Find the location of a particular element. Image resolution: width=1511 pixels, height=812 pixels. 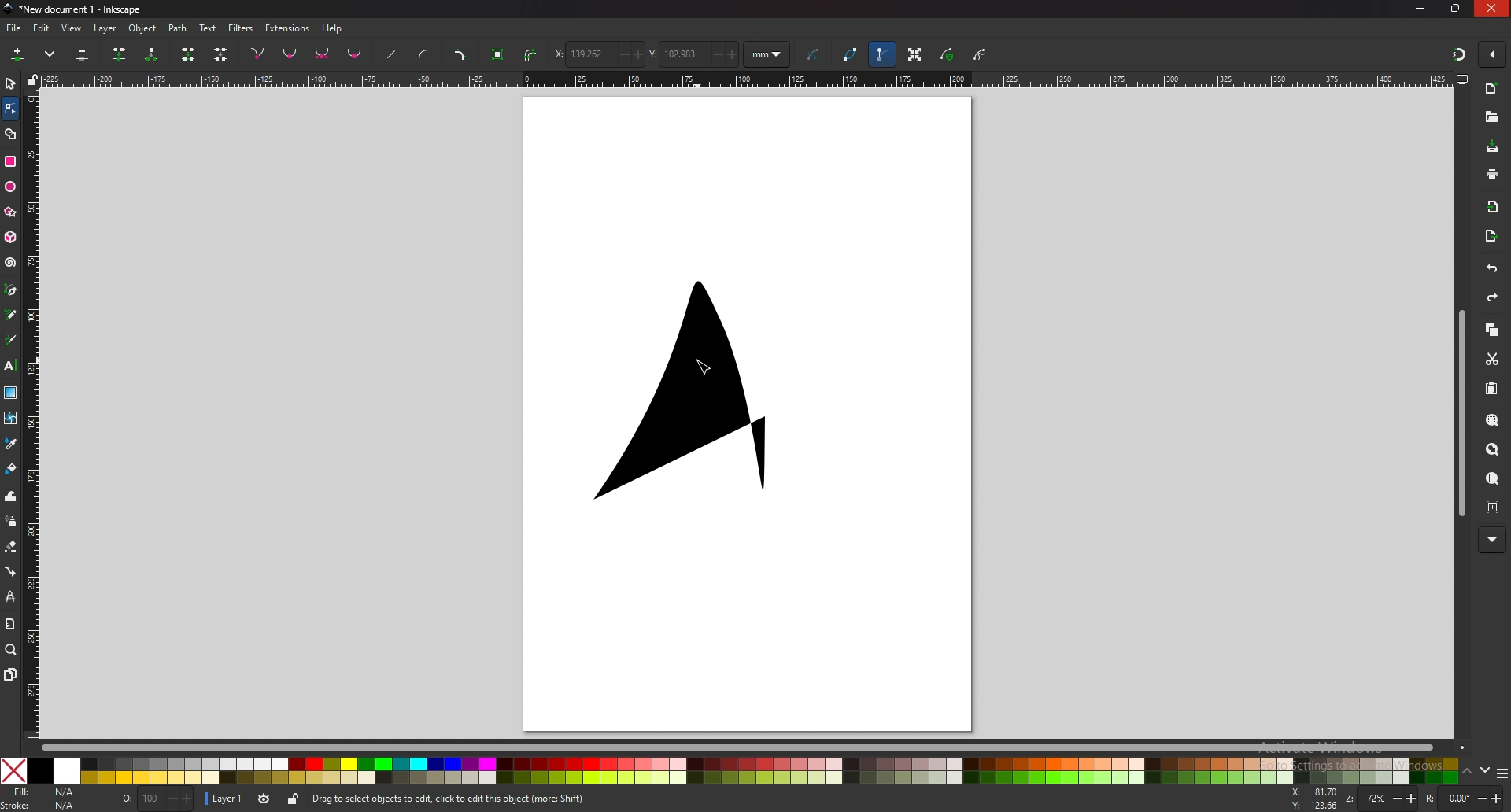

zoom page is located at coordinates (1491, 479).